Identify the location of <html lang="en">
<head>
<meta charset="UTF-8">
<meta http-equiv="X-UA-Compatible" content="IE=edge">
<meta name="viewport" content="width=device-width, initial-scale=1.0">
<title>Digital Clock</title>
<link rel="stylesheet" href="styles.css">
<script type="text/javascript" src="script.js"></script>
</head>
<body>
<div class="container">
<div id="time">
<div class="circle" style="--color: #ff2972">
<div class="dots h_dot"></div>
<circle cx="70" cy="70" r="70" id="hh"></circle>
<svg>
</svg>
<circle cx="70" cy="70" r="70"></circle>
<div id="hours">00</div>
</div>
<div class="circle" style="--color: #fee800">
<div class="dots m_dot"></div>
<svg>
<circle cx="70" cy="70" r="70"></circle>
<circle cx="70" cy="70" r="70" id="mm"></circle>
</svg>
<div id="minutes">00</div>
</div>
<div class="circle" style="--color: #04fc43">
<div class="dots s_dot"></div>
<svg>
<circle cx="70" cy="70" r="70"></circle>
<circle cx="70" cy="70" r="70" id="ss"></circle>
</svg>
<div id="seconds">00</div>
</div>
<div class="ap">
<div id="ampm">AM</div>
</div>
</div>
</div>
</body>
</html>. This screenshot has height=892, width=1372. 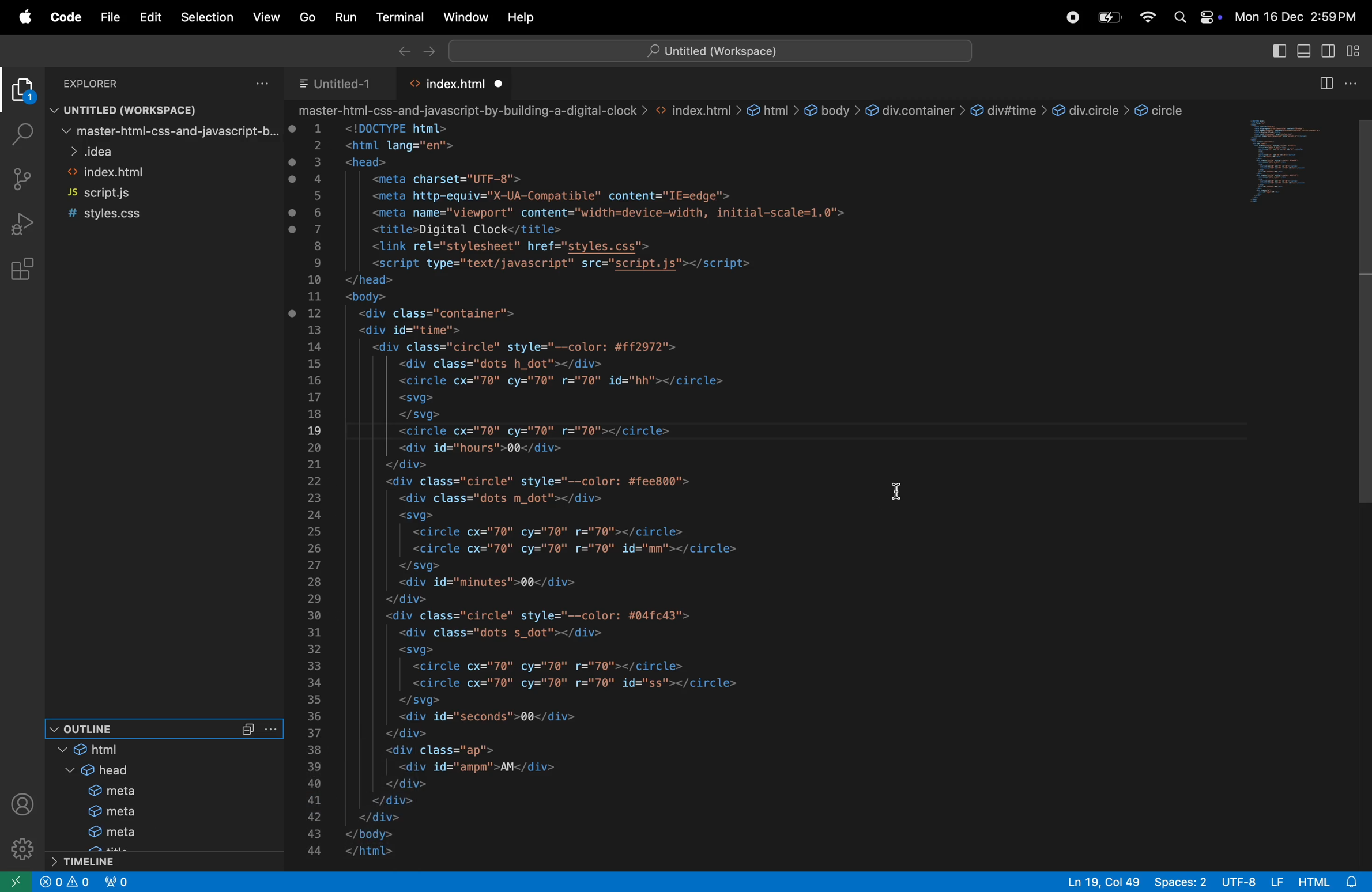
(609, 494).